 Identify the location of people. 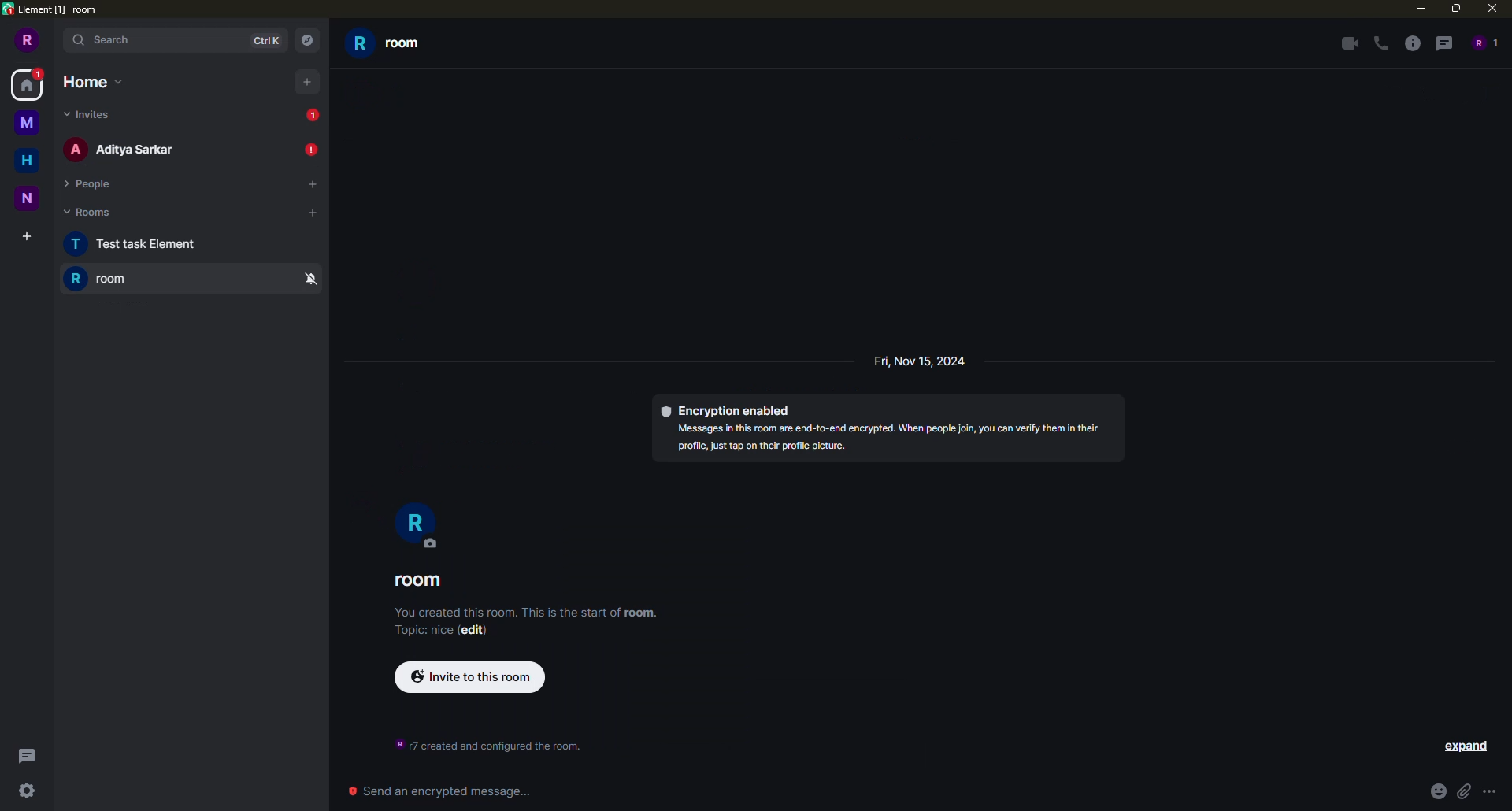
(124, 147).